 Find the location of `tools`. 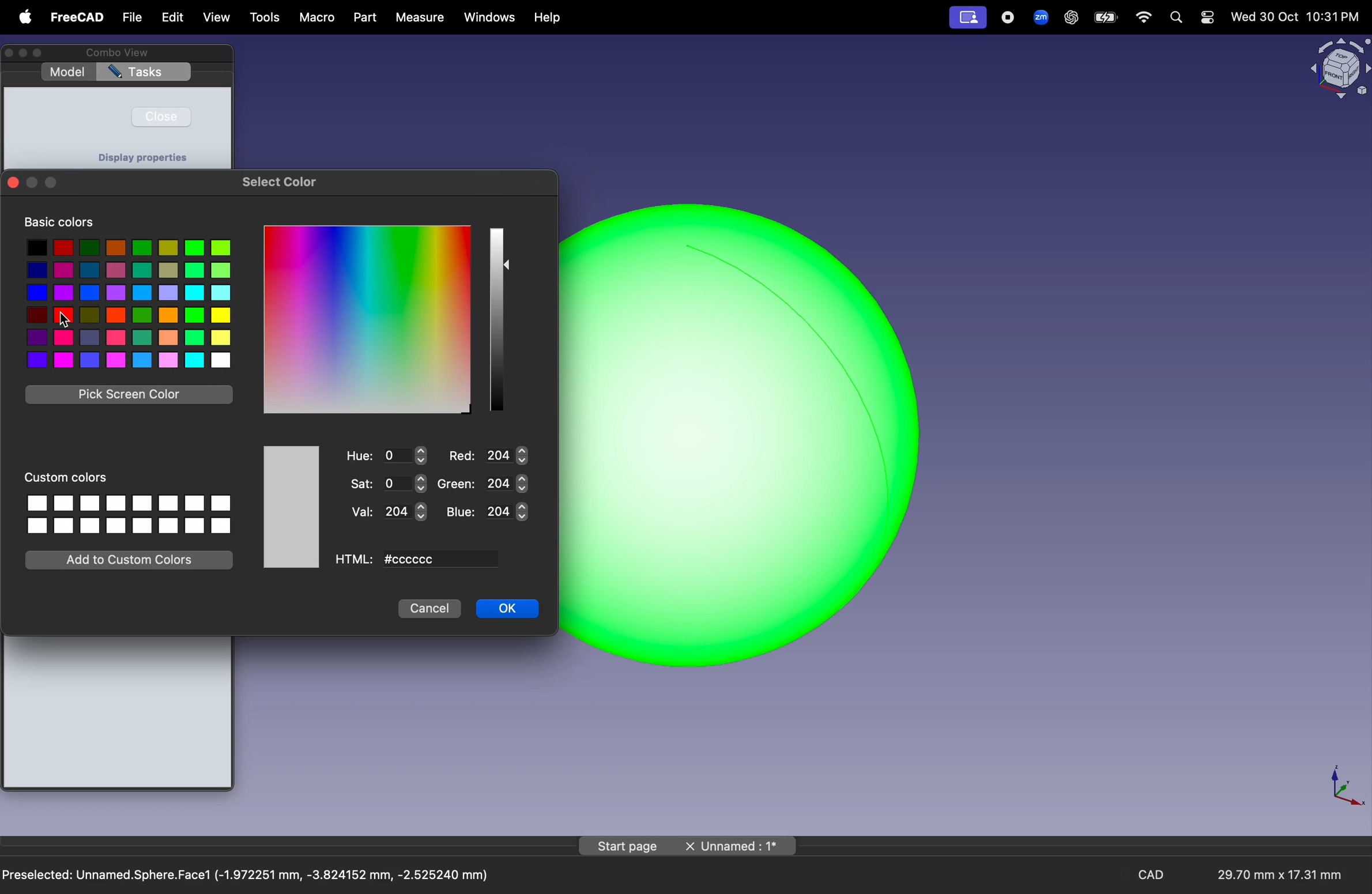

tools is located at coordinates (266, 18).